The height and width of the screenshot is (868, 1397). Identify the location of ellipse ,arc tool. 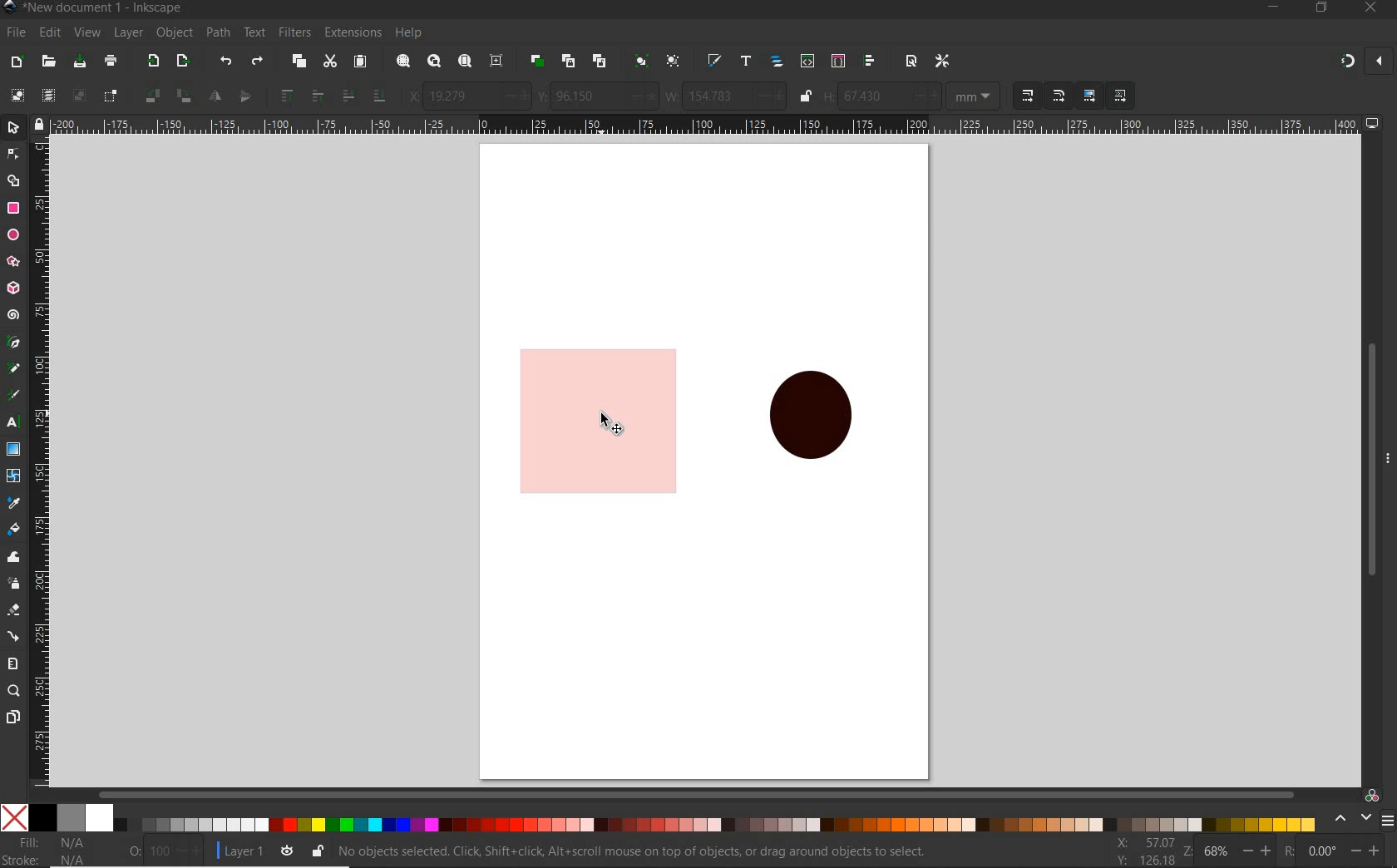
(12, 234).